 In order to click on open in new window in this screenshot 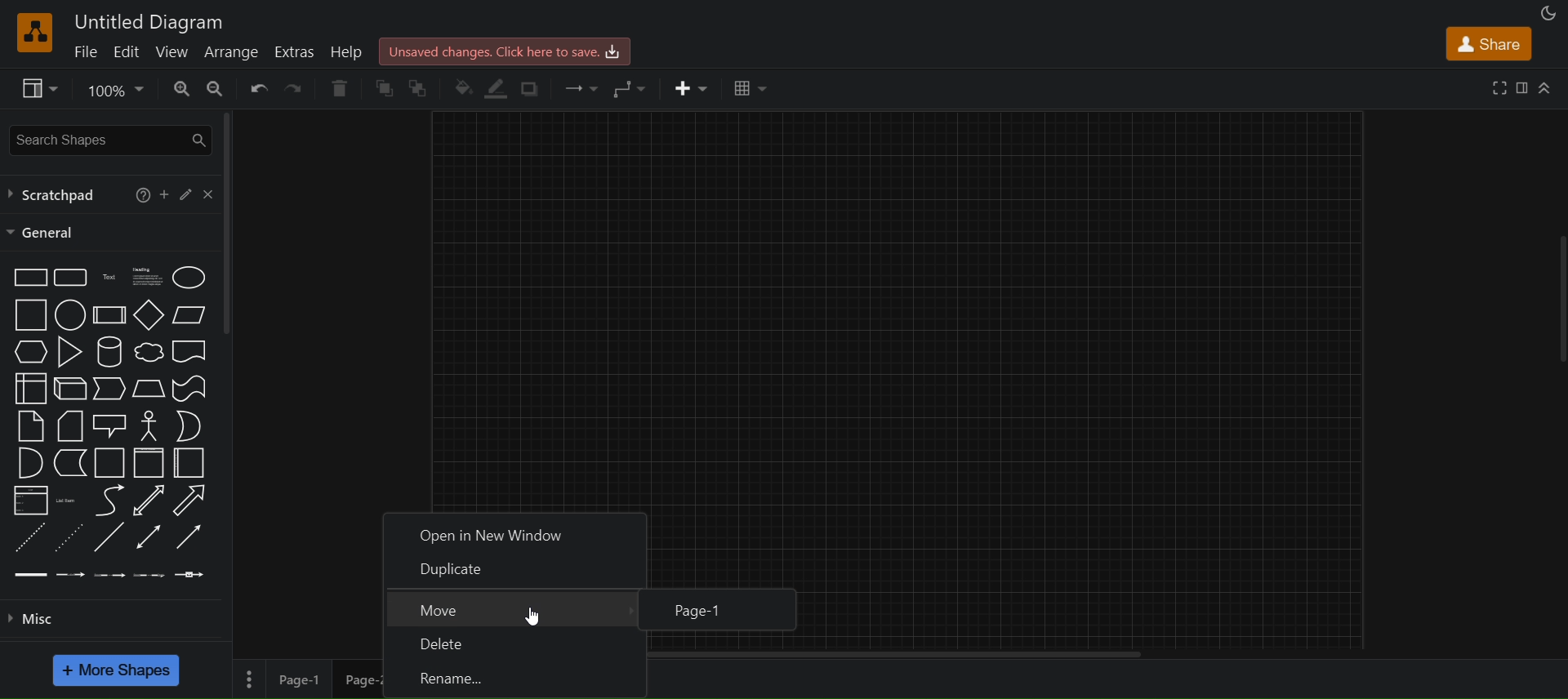, I will do `click(513, 530)`.